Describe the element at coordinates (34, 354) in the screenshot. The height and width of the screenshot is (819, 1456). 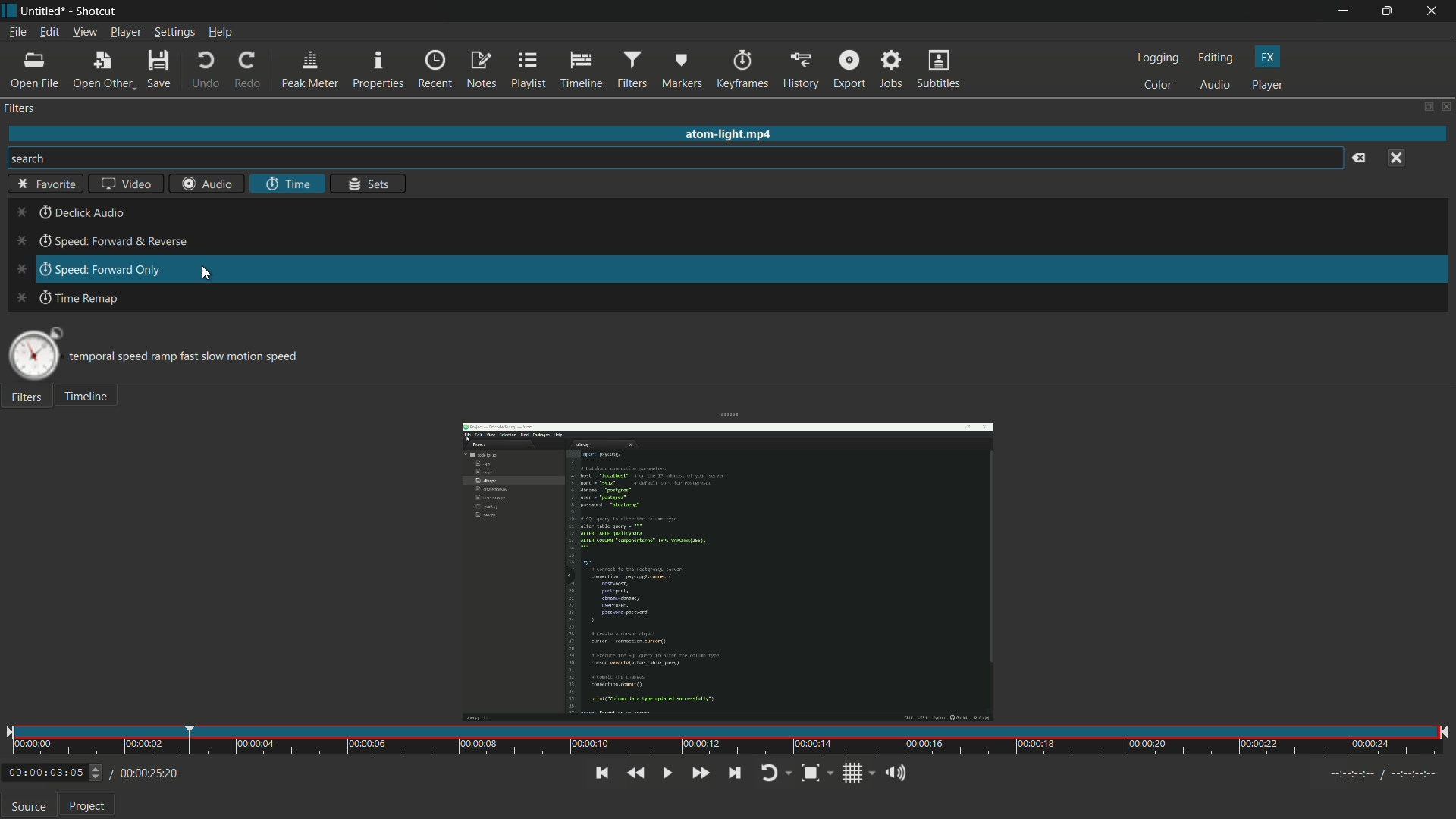
I see `clock image` at that location.